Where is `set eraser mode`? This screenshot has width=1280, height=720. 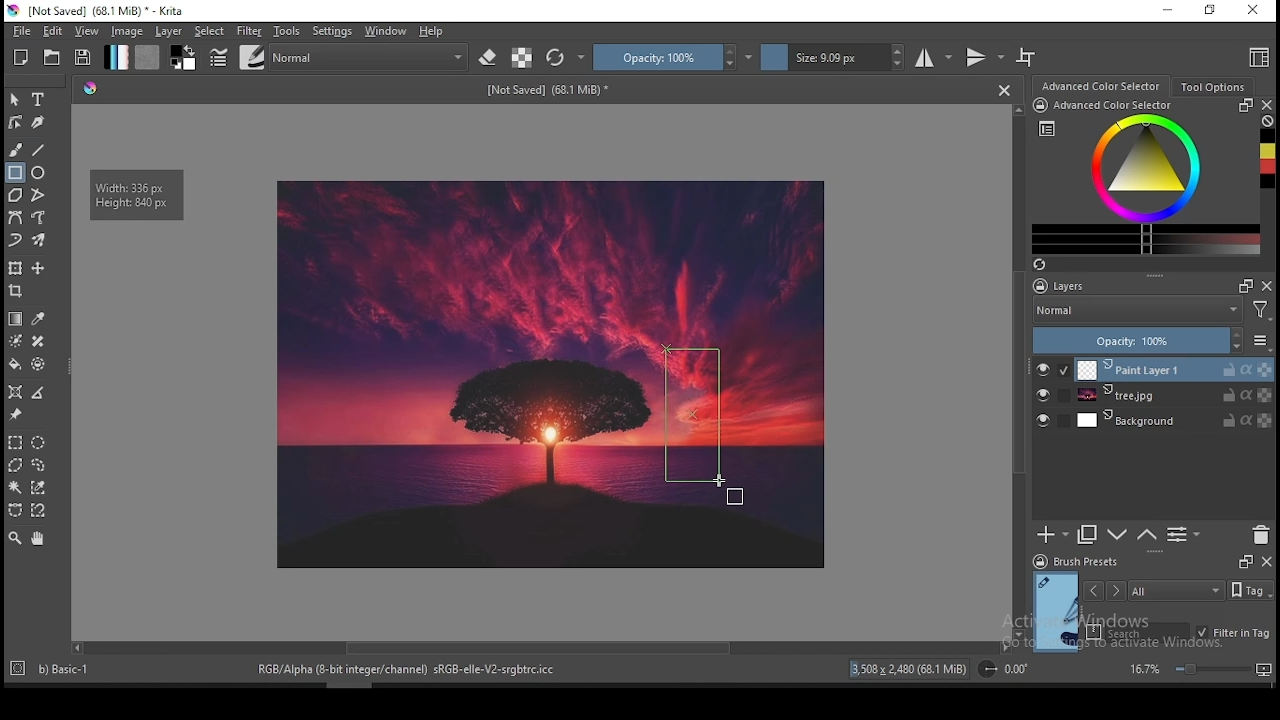 set eraser mode is located at coordinates (490, 56).